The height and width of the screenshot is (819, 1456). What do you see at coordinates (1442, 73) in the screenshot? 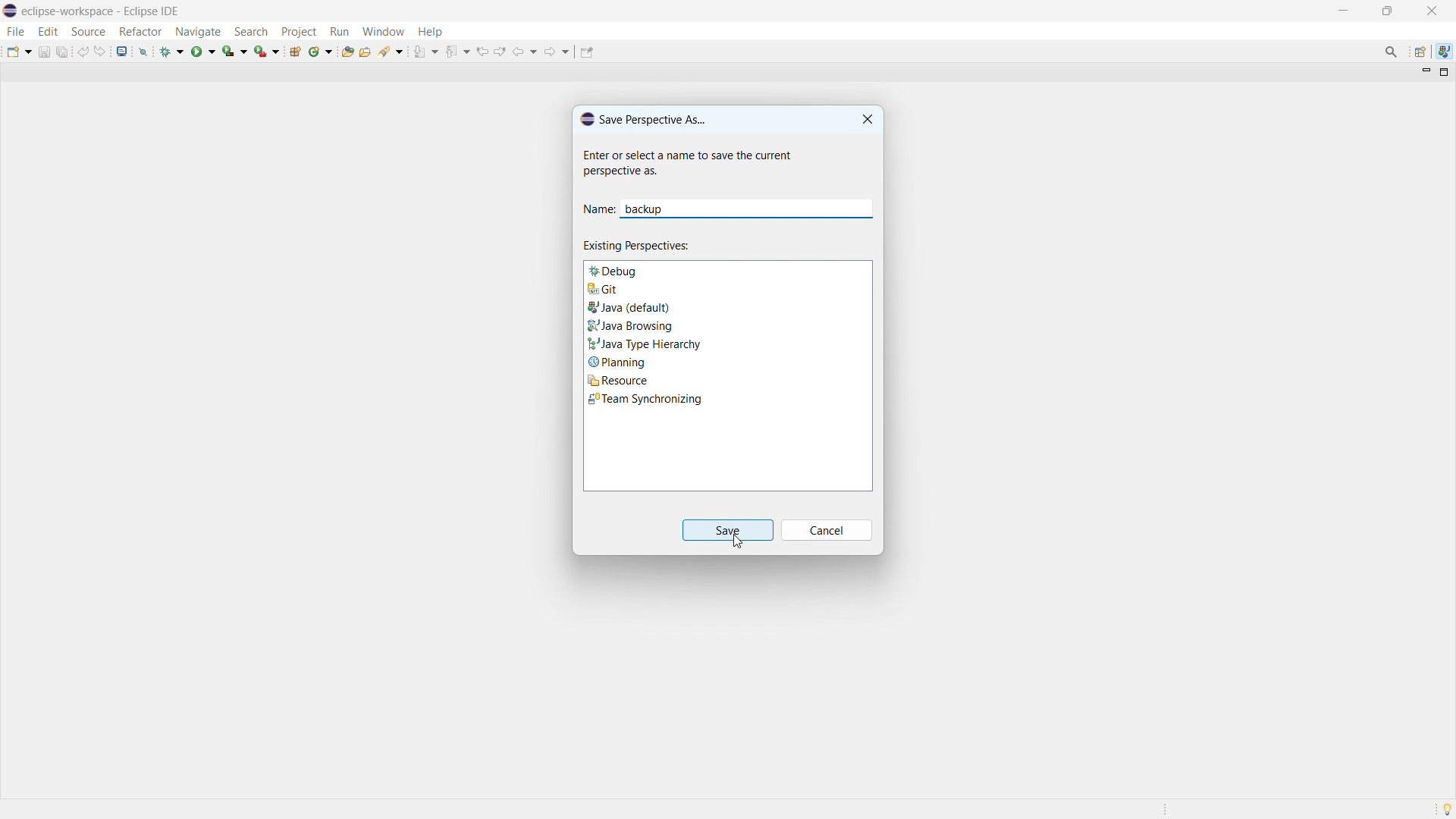
I see `maximize view` at bounding box center [1442, 73].